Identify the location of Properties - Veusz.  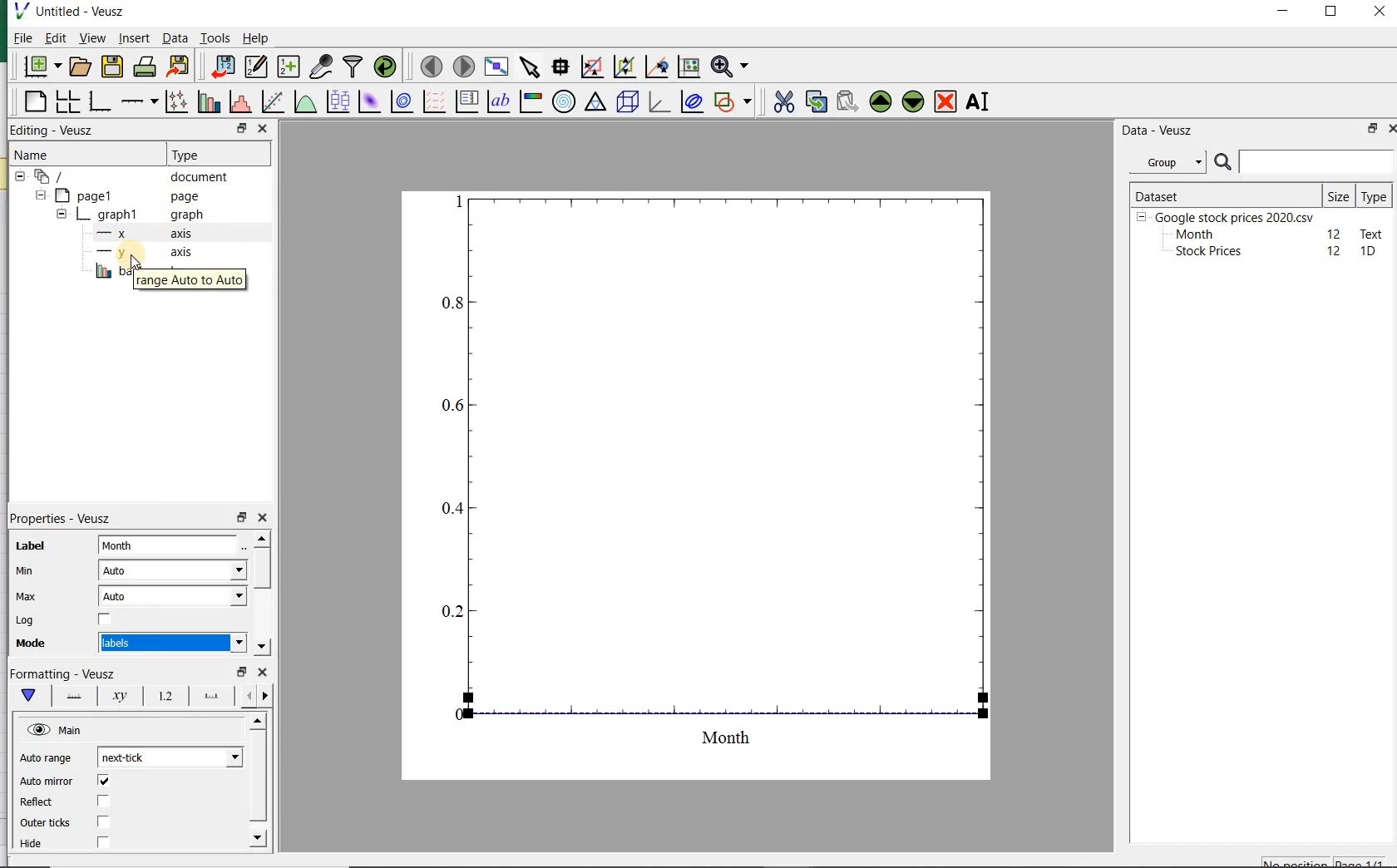
(66, 520).